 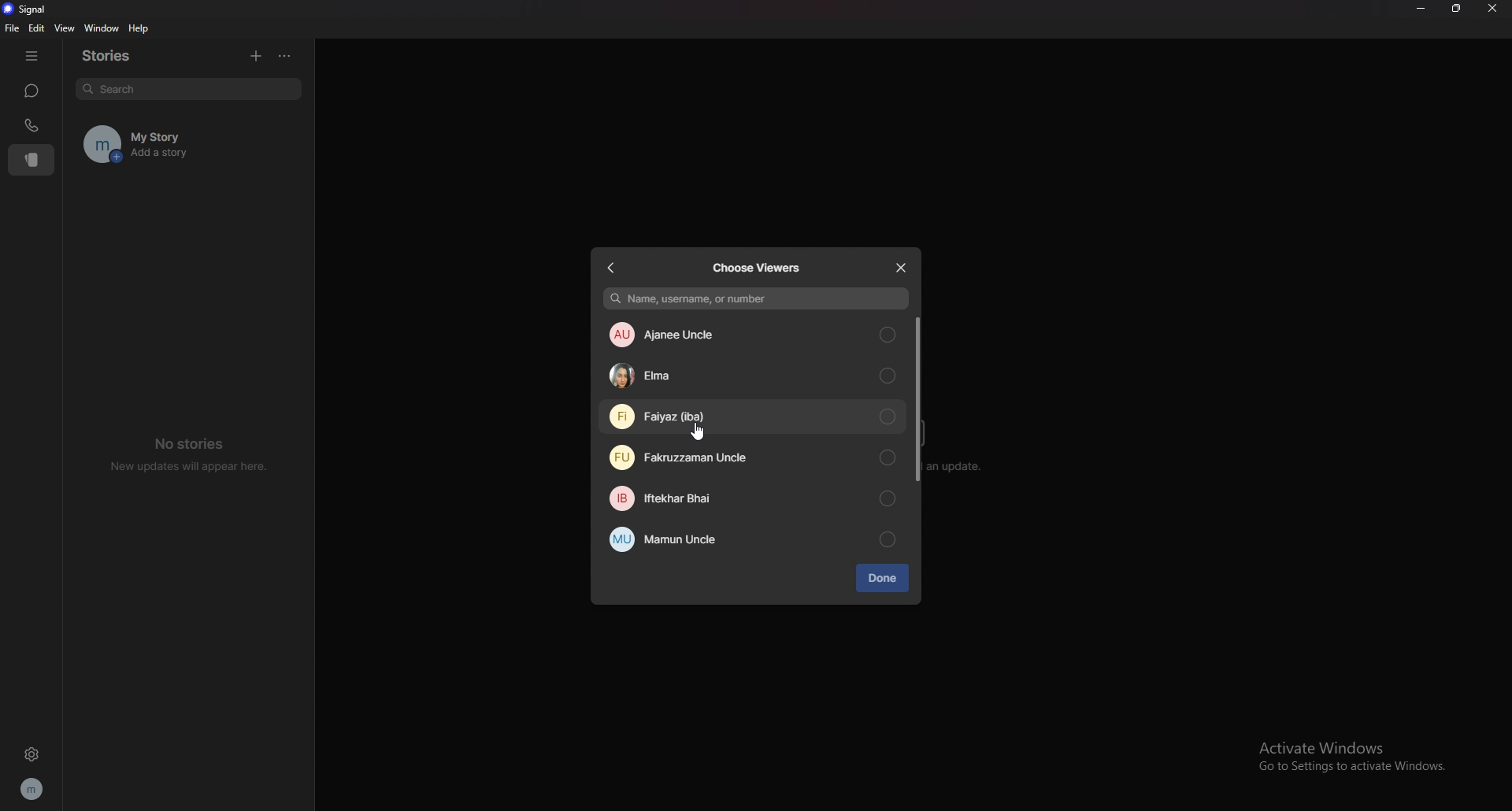 What do you see at coordinates (917, 398) in the screenshot?
I see `scroll bar` at bounding box center [917, 398].